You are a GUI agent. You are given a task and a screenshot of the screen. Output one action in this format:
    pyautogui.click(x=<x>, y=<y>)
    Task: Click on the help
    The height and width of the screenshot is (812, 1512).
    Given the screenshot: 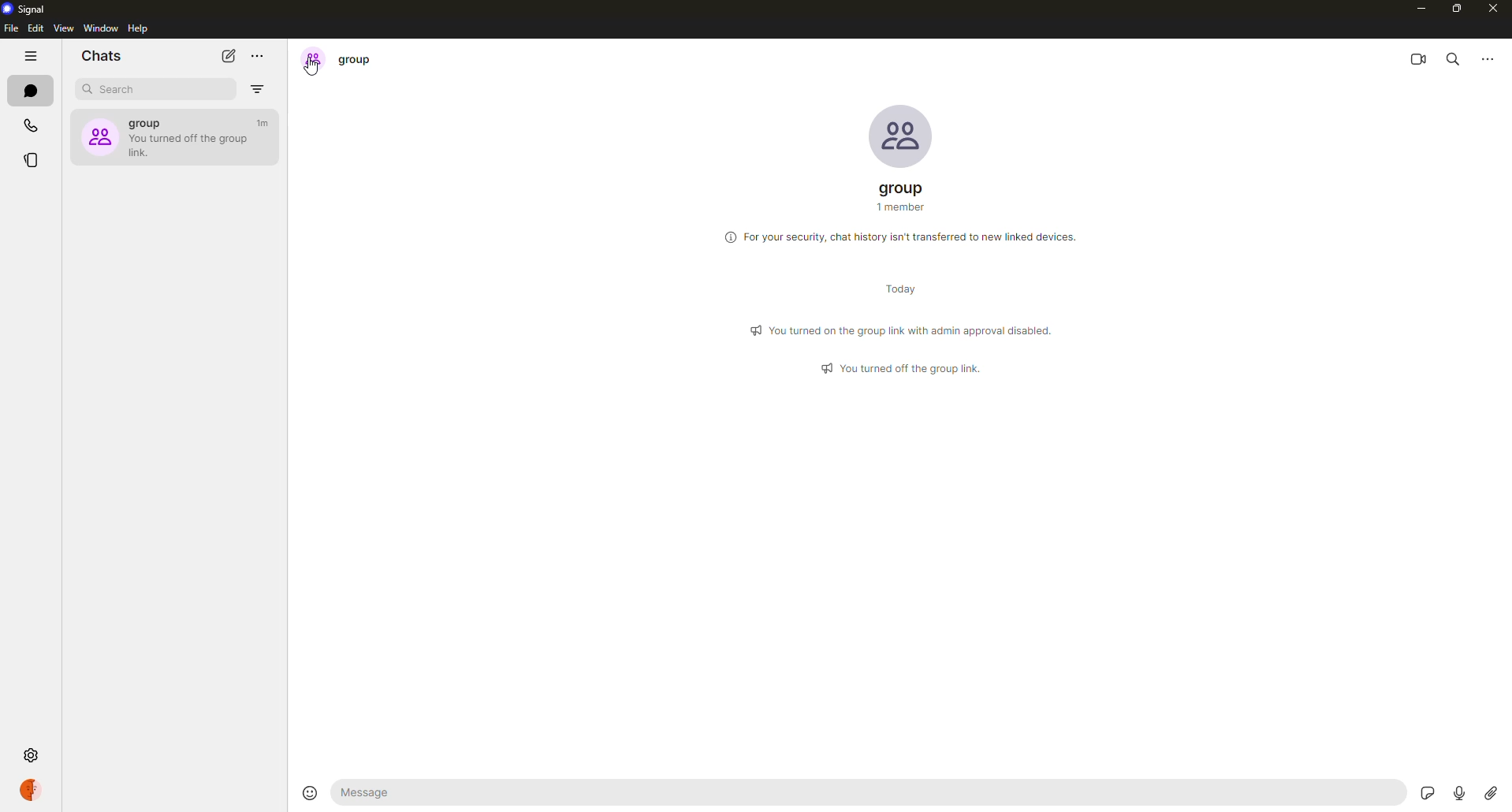 What is the action you would take?
    pyautogui.click(x=136, y=29)
    